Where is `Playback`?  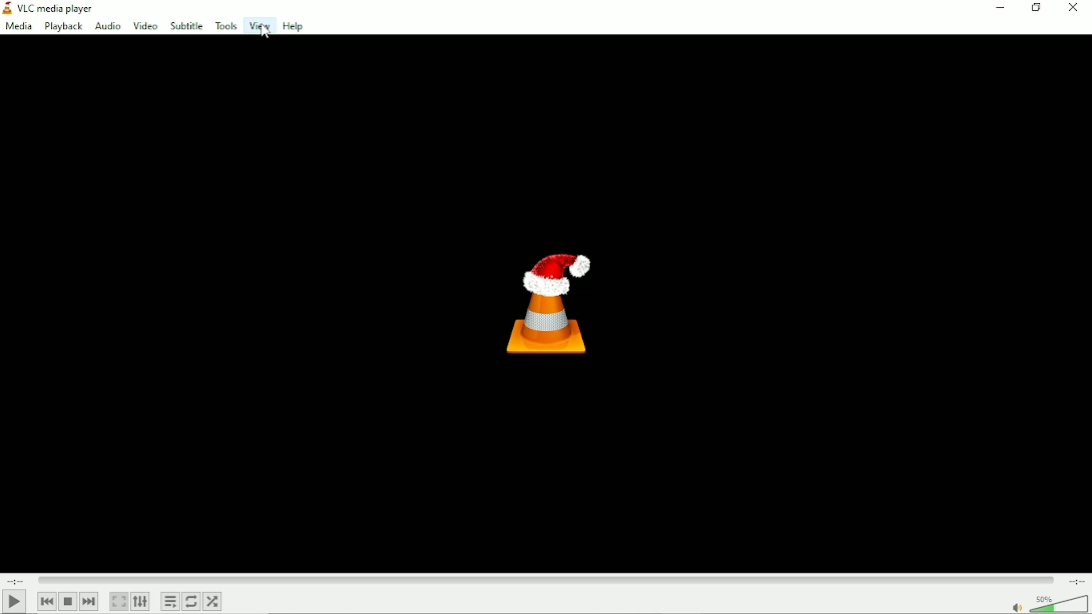 Playback is located at coordinates (63, 27).